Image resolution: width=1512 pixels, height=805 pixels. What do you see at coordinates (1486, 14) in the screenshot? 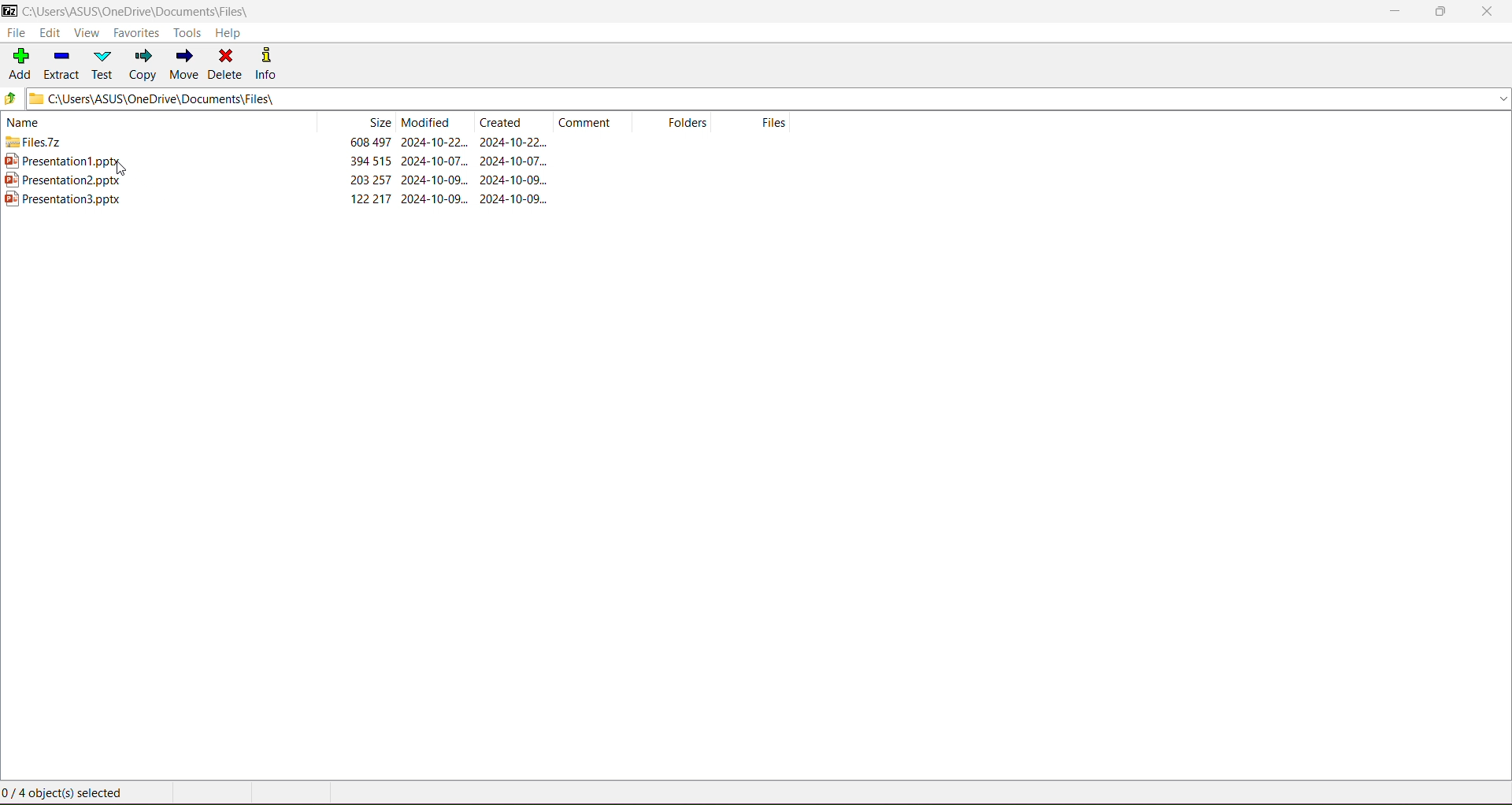
I see `Close` at bounding box center [1486, 14].